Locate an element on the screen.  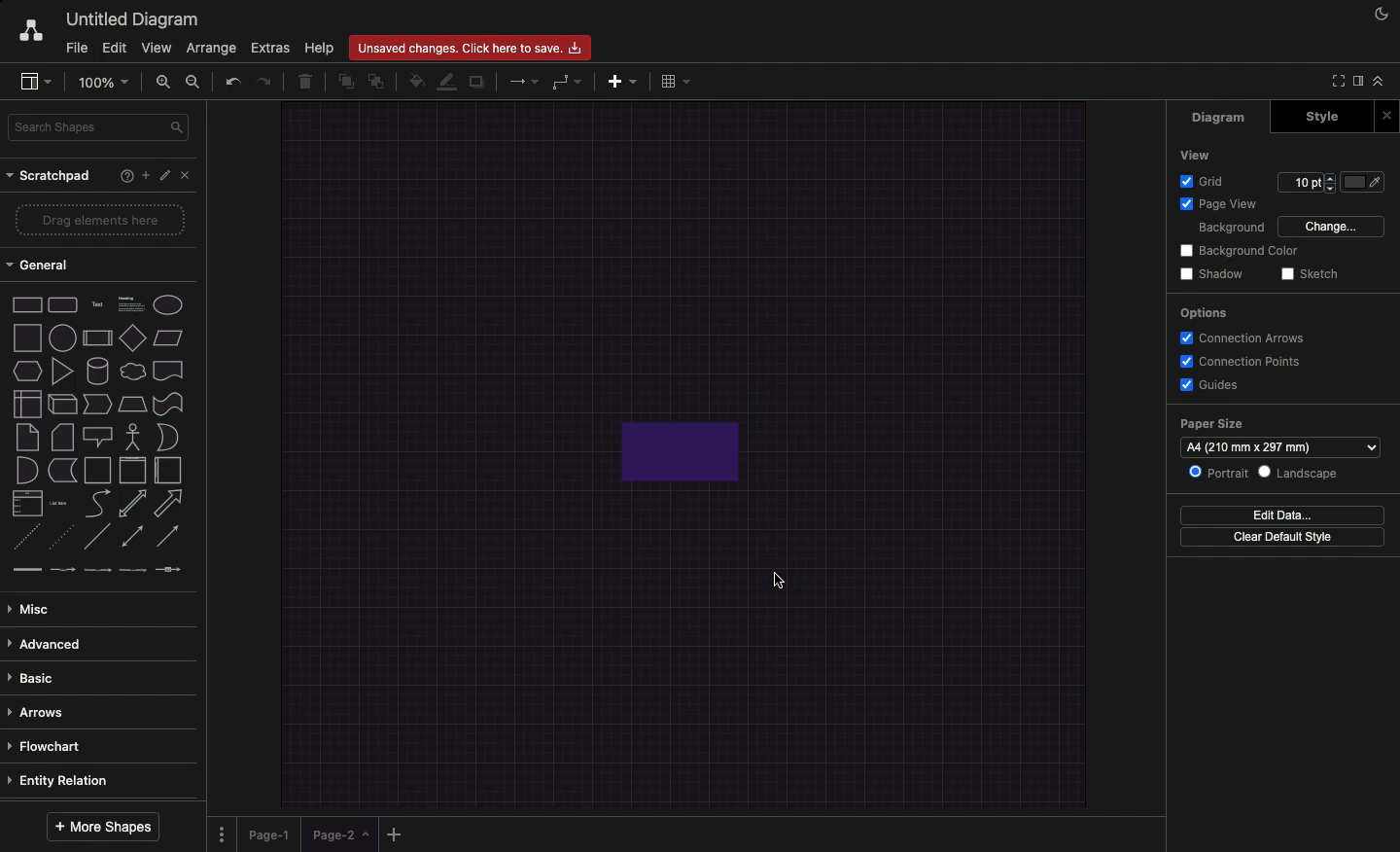
step is located at coordinates (95, 403).